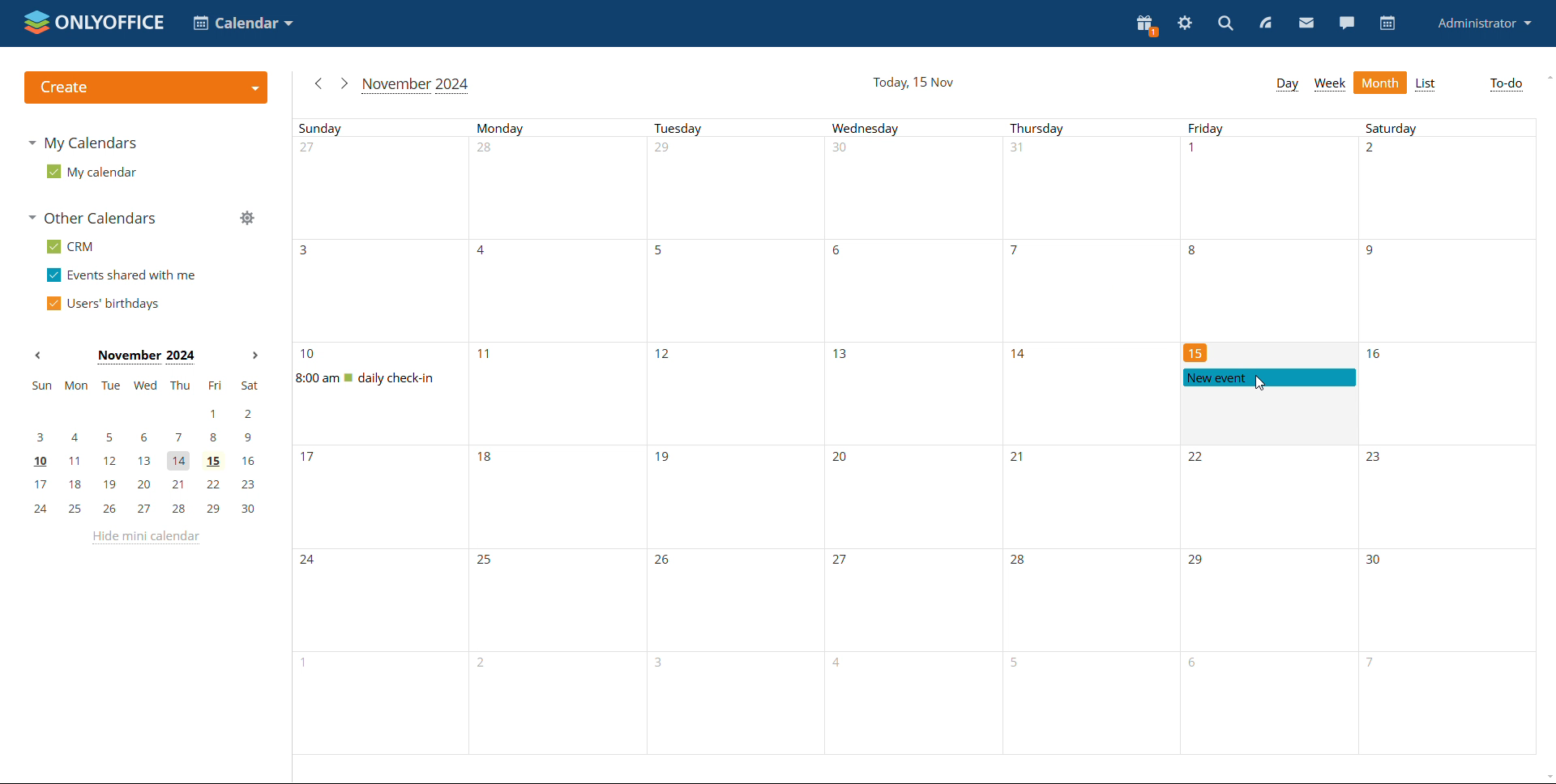 Image resolution: width=1556 pixels, height=784 pixels. I want to click on cursor, so click(1256, 384).